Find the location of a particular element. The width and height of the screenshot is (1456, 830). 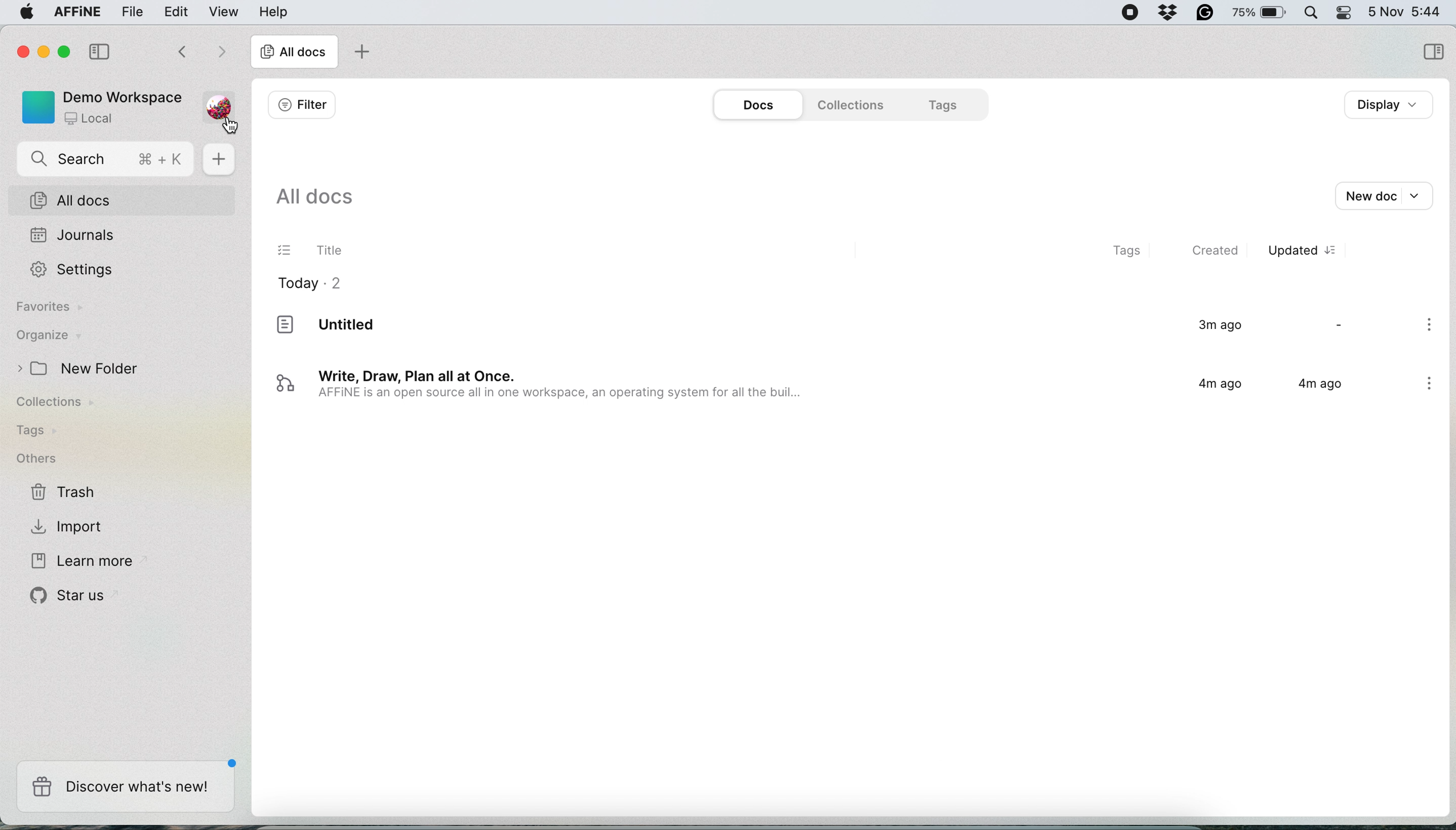

more options is located at coordinates (1431, 385).